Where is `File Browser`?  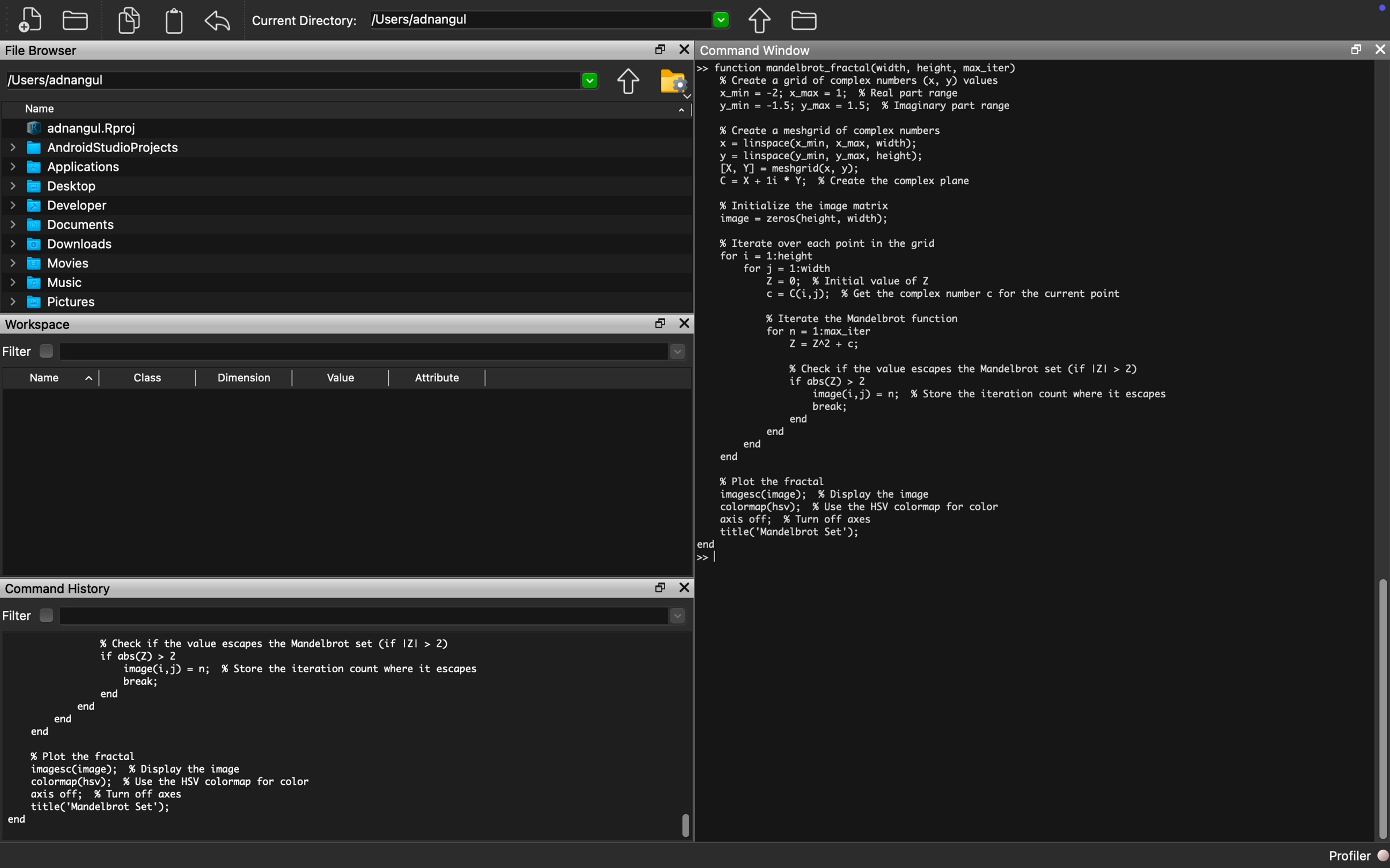
File Browser is located at coordinates (41, 52).